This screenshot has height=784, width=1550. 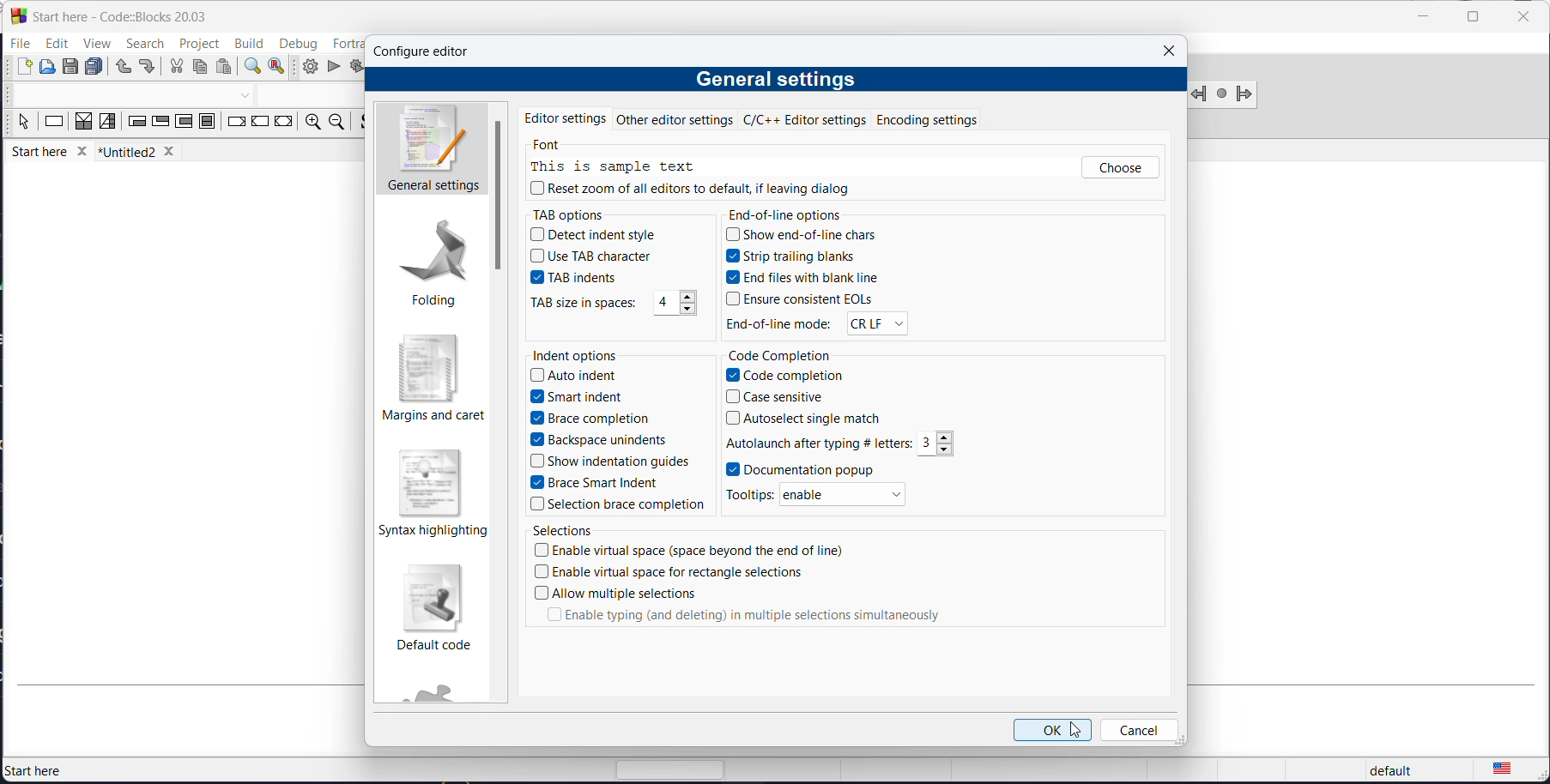 I want to click on other editing settings, so click(x=675, y=120).